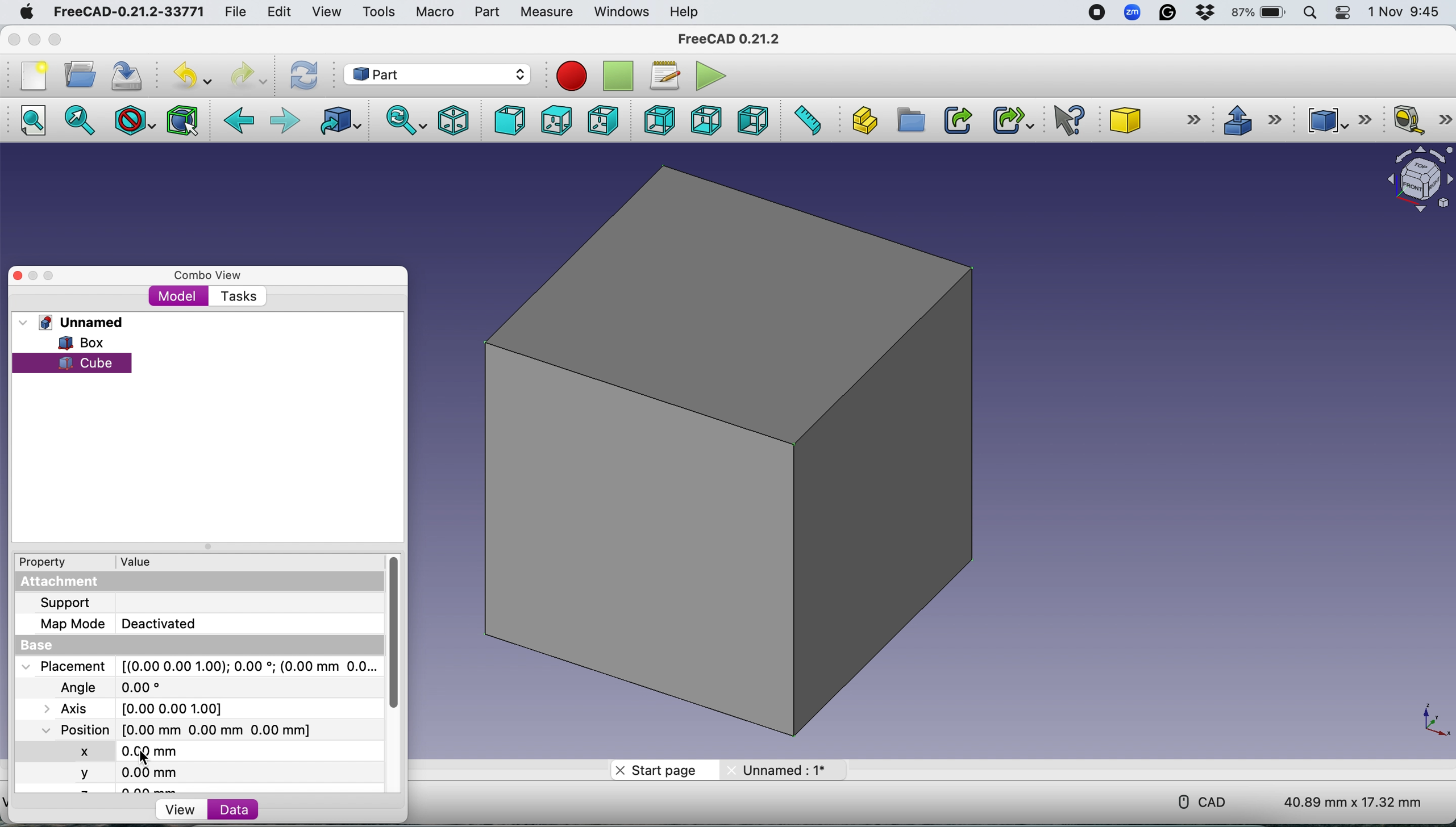 The width and height of the screenshot is (1456, 827). I want to click on Fit selection, so click(81, 122).